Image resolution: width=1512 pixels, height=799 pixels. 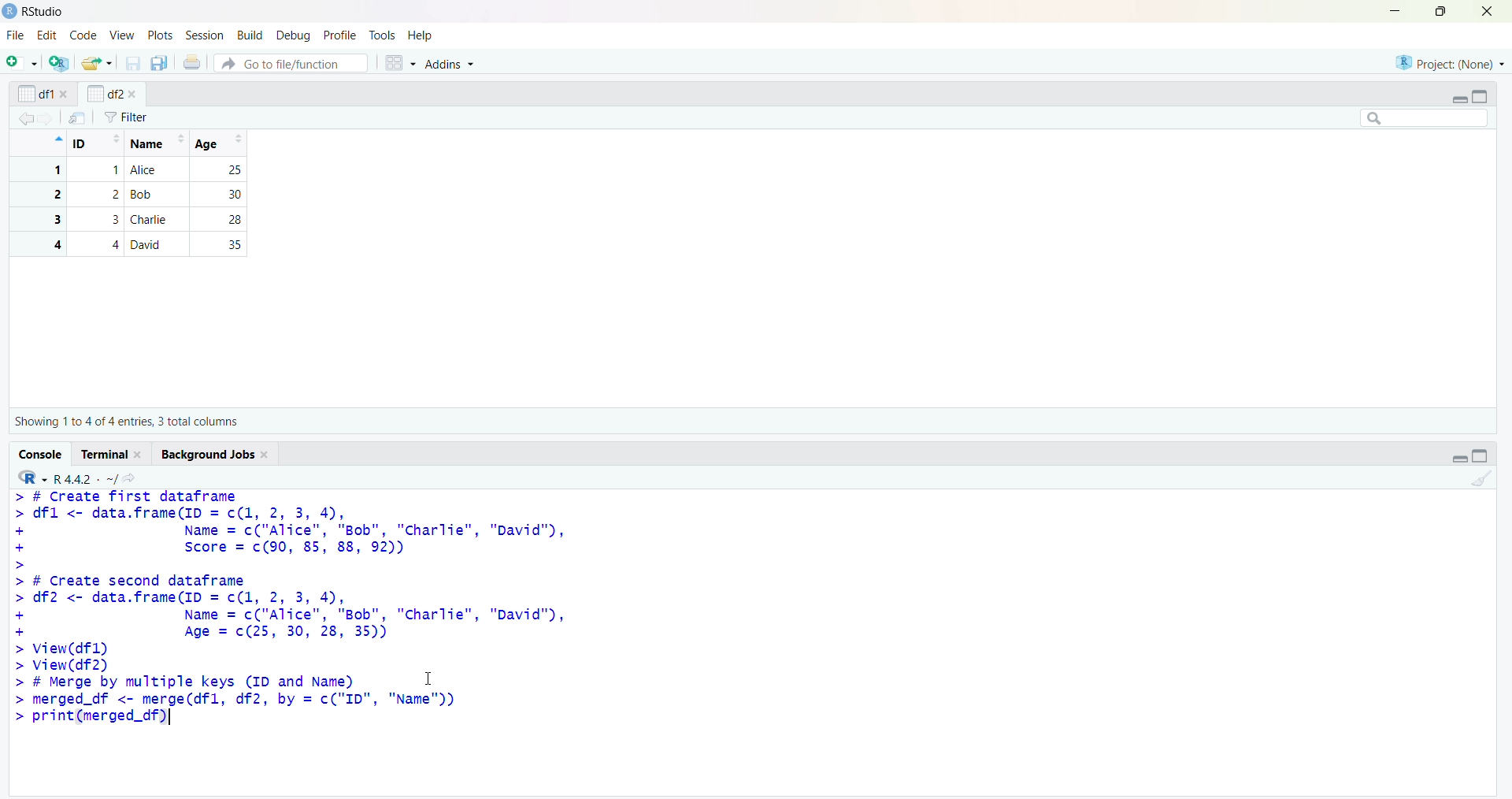 What do you see at coordinates (11, 12) in the screenshot?
I see `logo` at bounding box center [11, 12].